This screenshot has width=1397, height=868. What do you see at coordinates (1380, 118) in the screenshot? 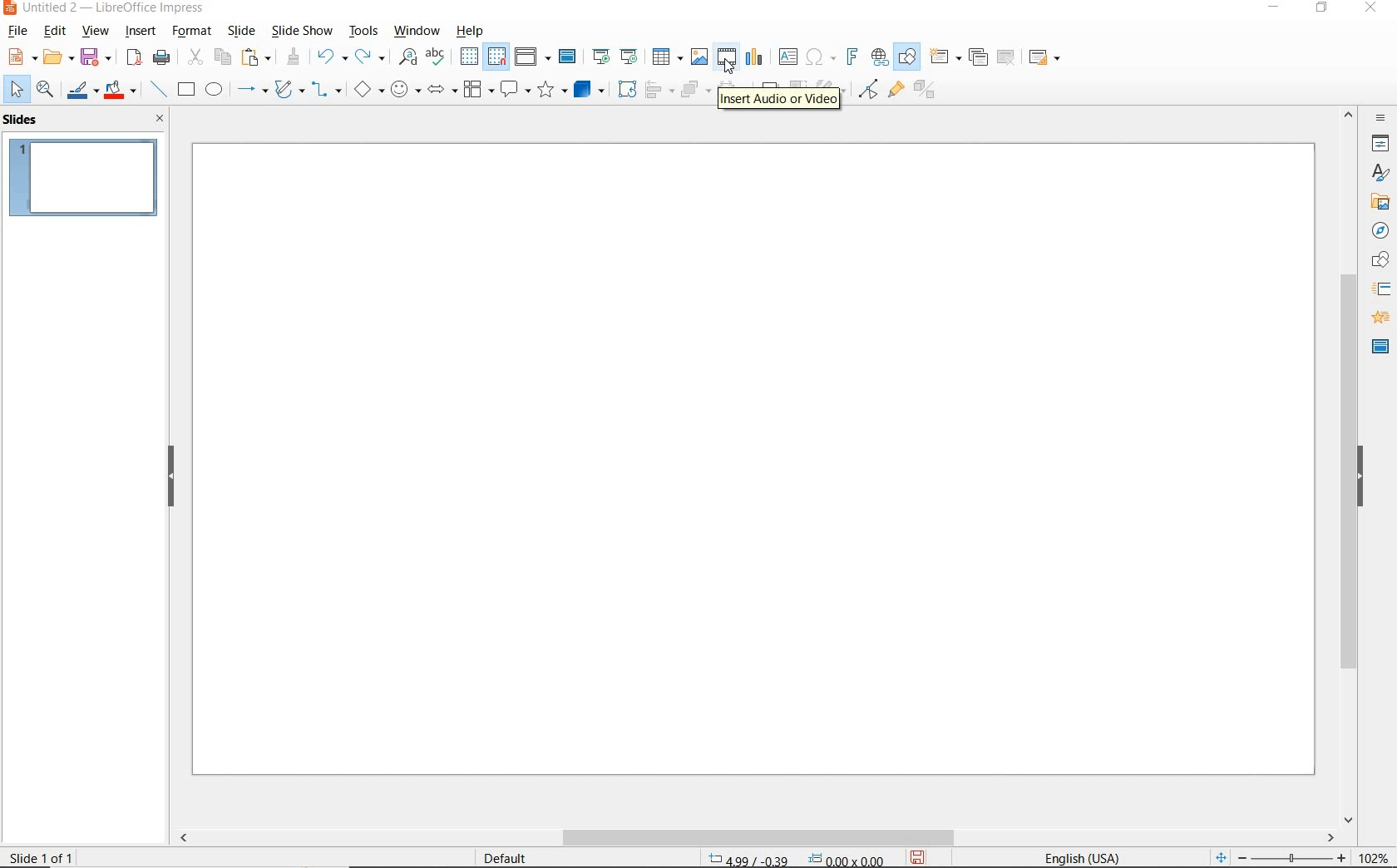
I see `SIDEBAR SETTINGS` at bounding box center [1380, 118].